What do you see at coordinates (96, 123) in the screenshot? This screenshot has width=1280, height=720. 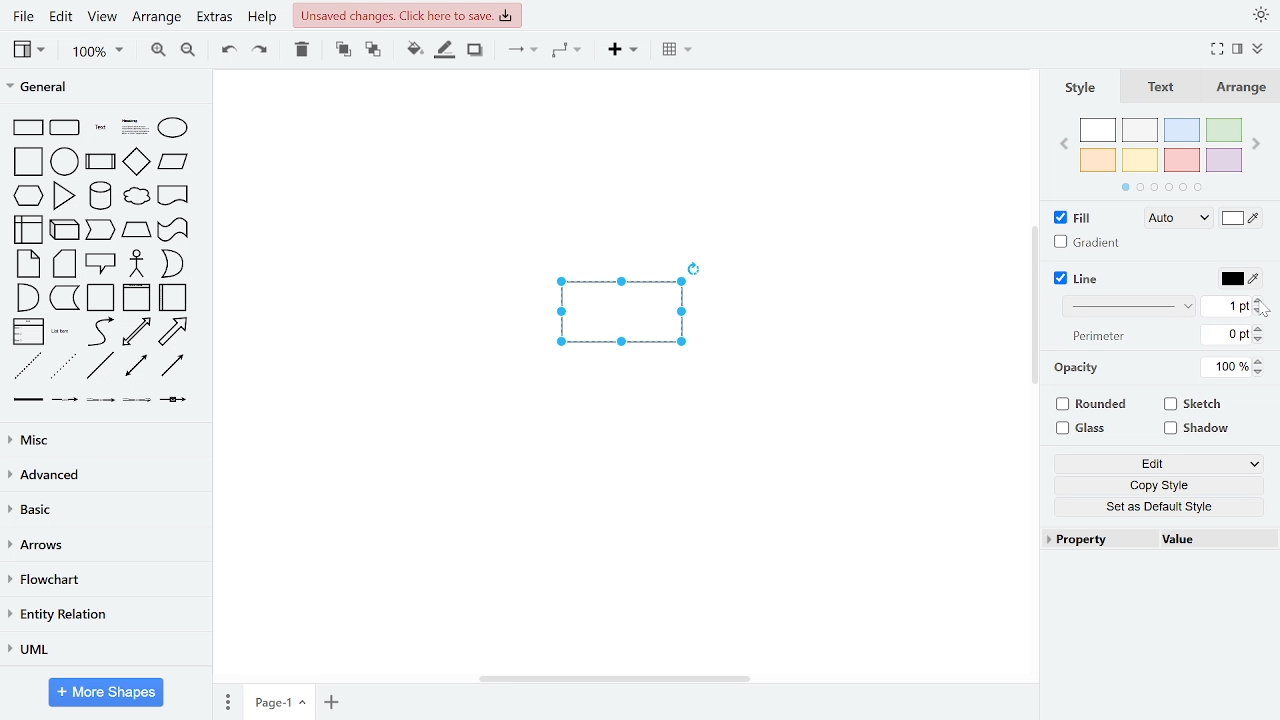 I see `general shapes` at bounding box center [96, 123].